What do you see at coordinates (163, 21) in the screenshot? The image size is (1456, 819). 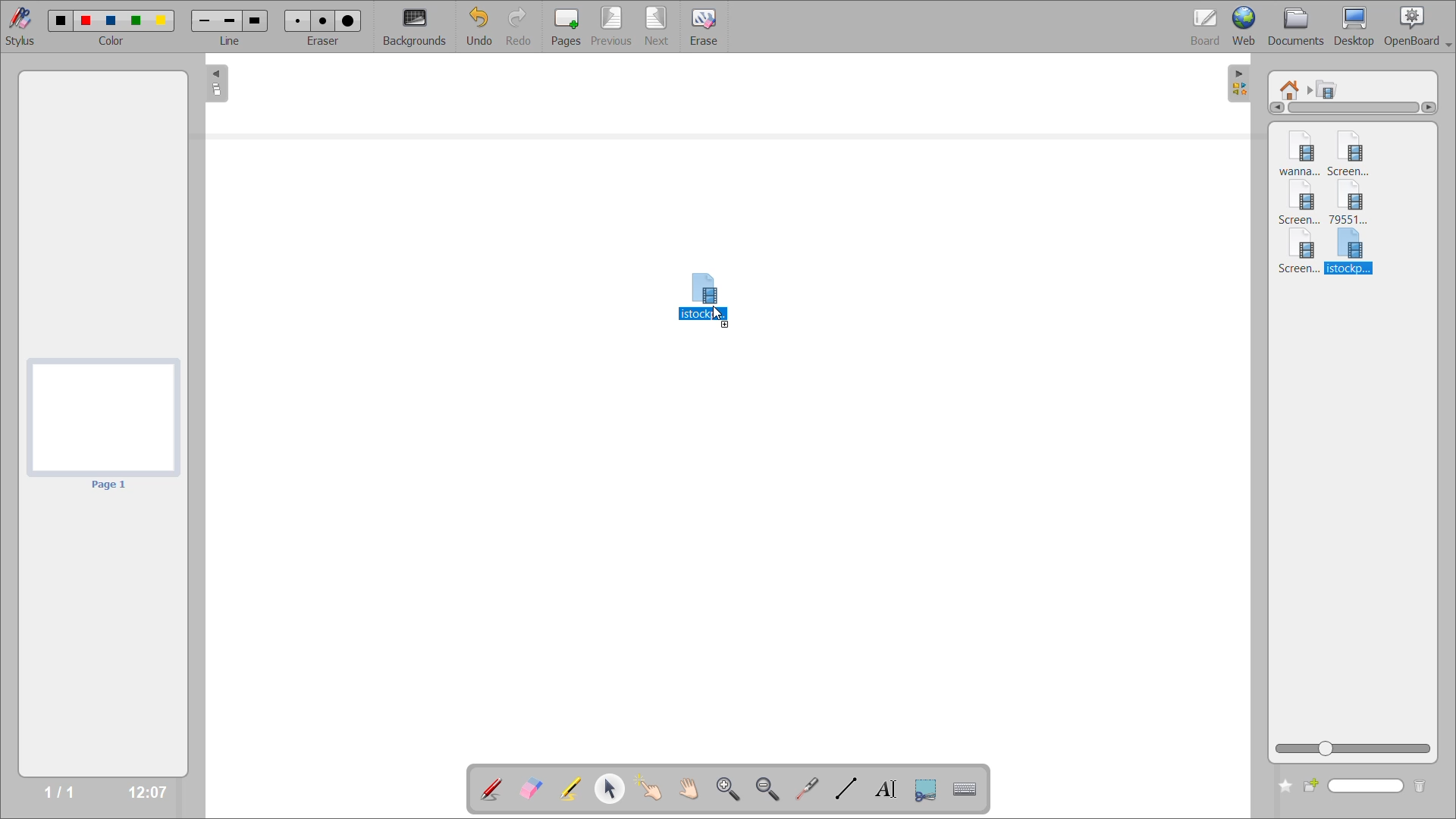 I see `color 5` at bounding box center [163, 21].